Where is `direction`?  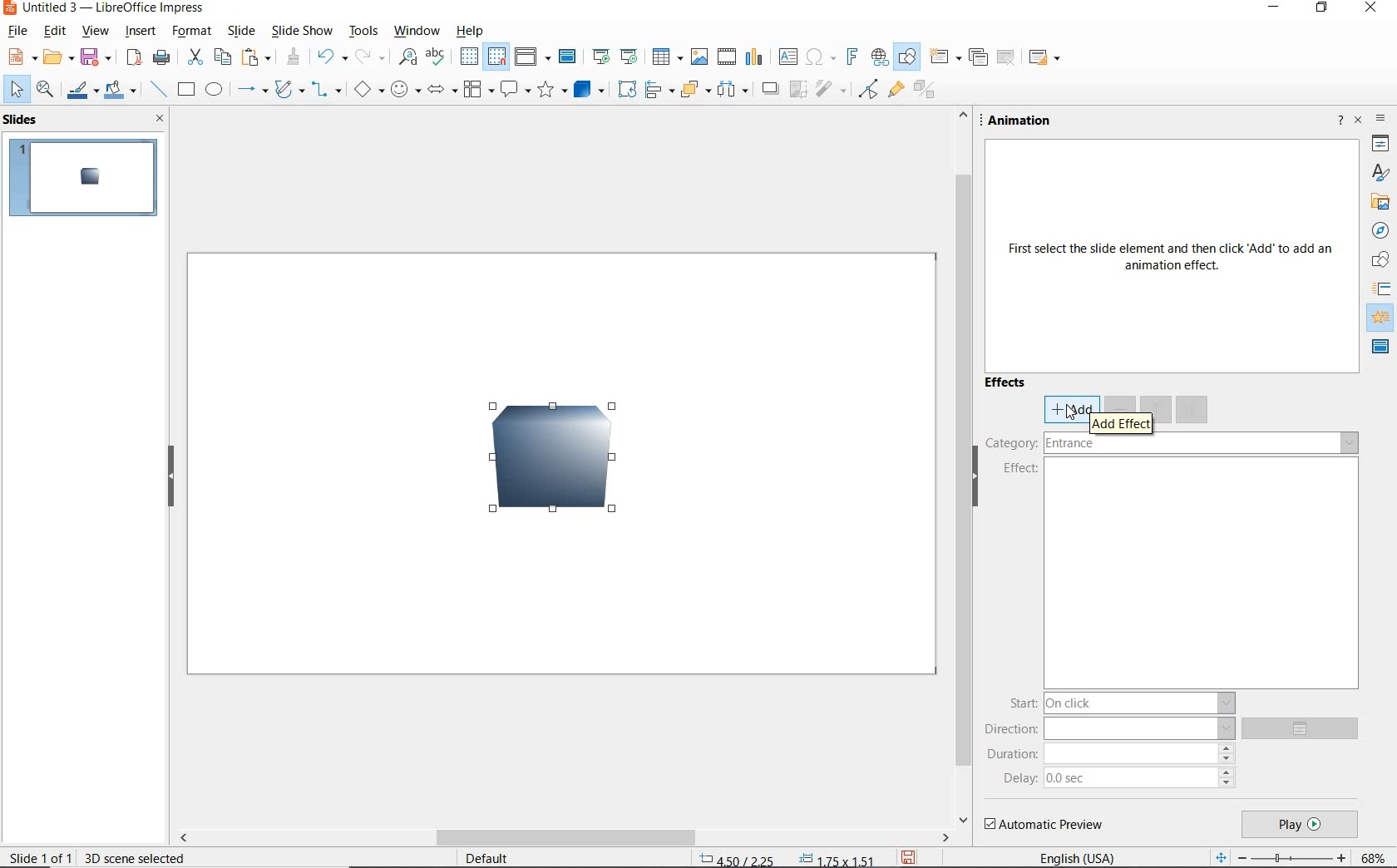
direction is located at coordinates (1109, 728).